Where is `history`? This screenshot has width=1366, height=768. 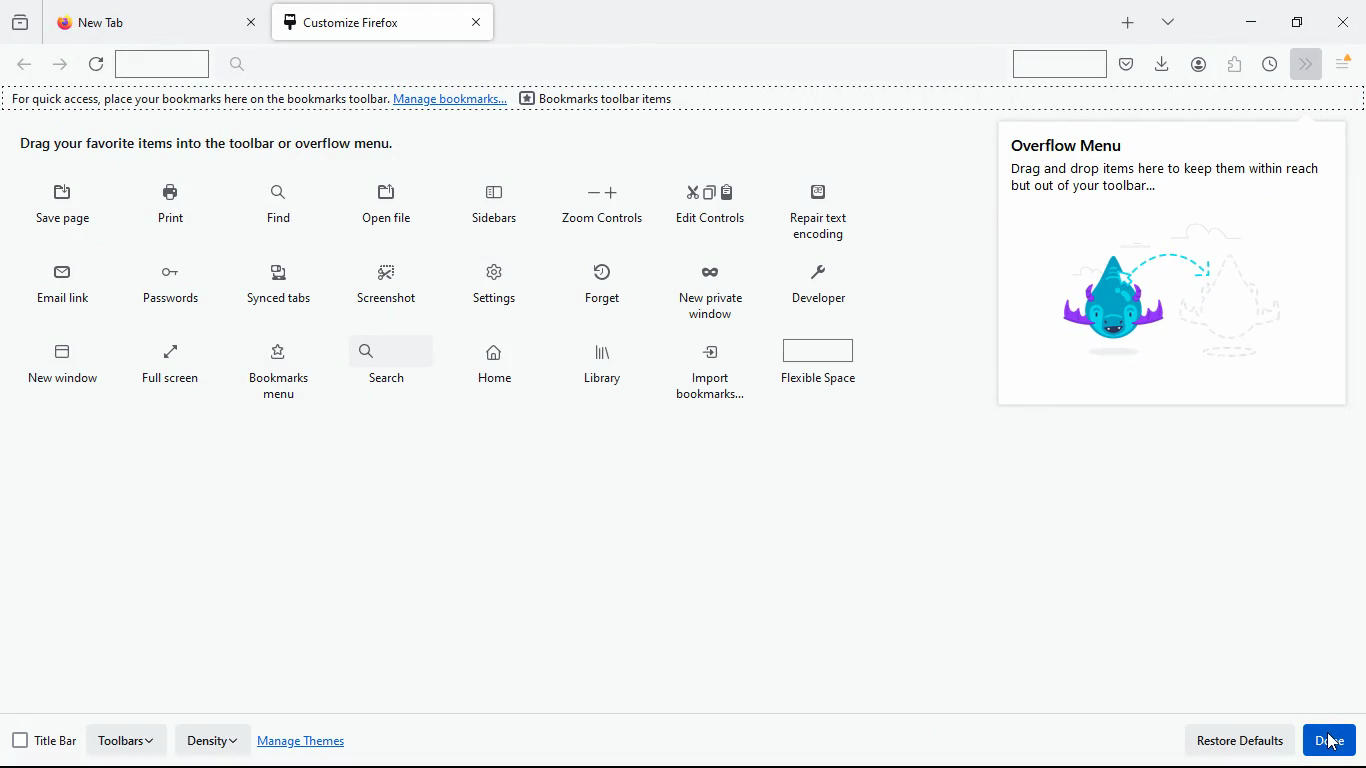 history is located at coordinates (72, 212).